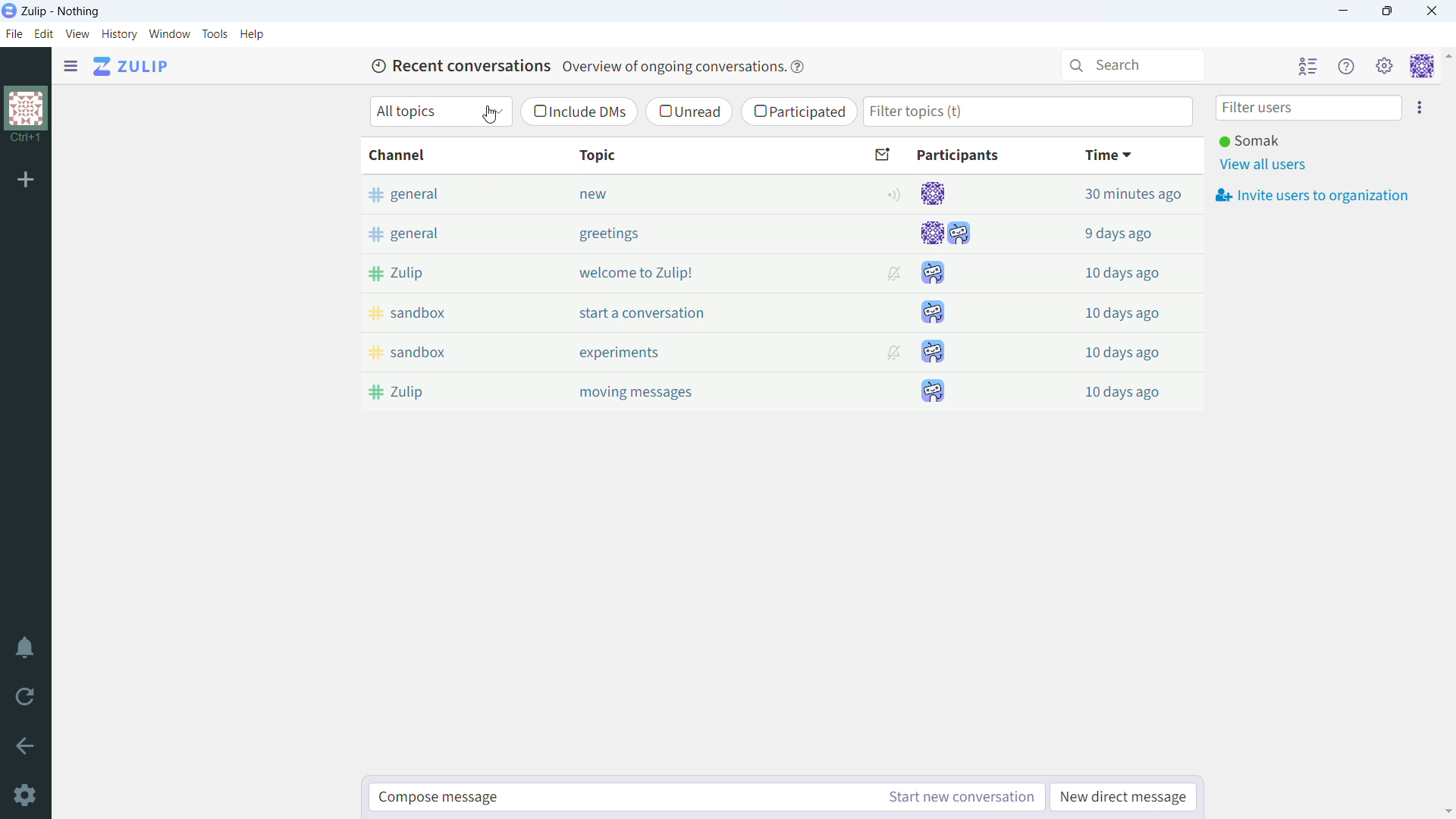 This screenshot has width=1456, height=819. What do you see at coordinates (14, 34) in the screenshot?
I see `file` at bounding box center [14, 34].